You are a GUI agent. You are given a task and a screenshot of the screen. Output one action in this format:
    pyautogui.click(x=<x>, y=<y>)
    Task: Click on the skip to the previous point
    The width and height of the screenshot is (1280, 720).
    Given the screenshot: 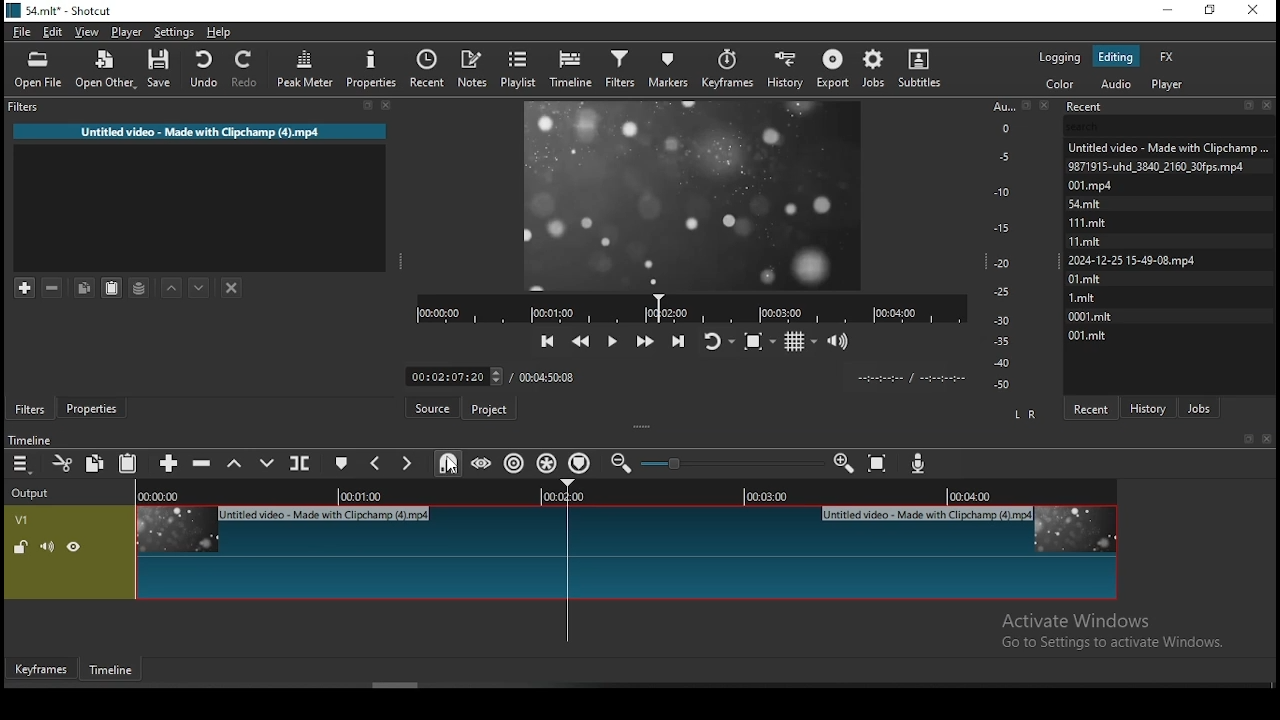 What is the action you would take?
    pyautogui.click(x=544, y=340)
    